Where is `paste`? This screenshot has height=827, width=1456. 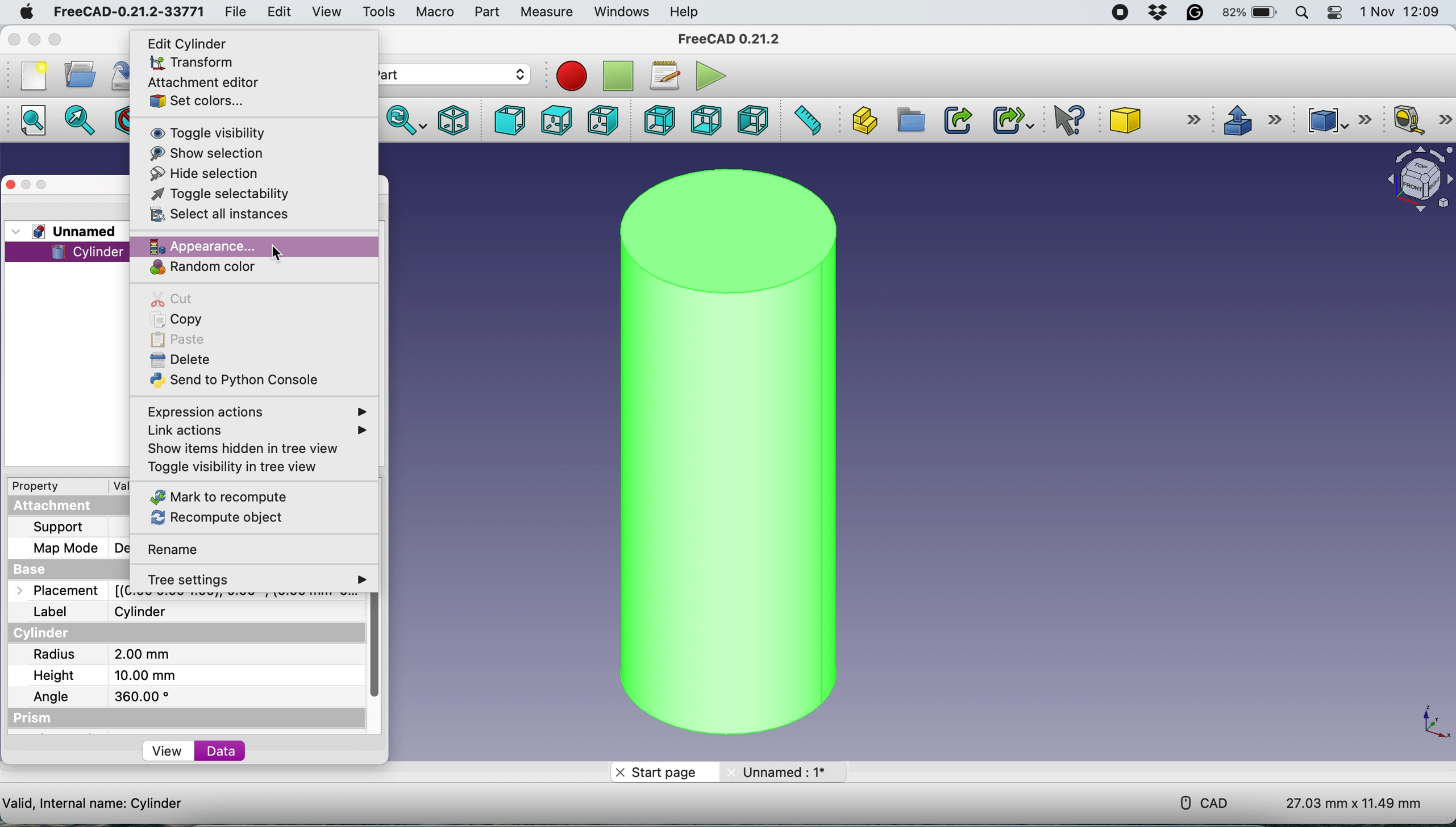
paste is located at coordinates (176, 341).